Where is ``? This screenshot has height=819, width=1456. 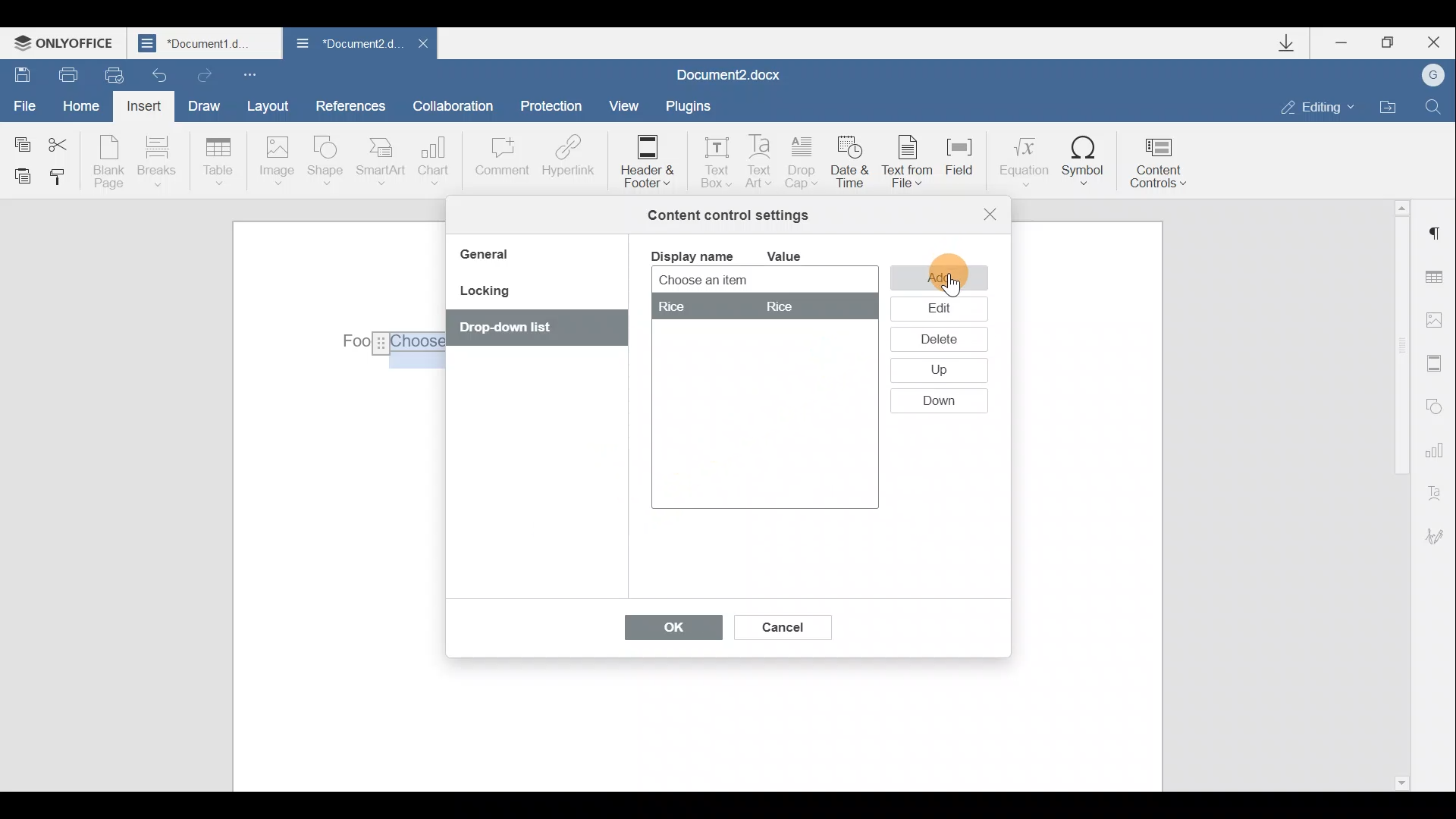  is located at coordinates (675, 308).